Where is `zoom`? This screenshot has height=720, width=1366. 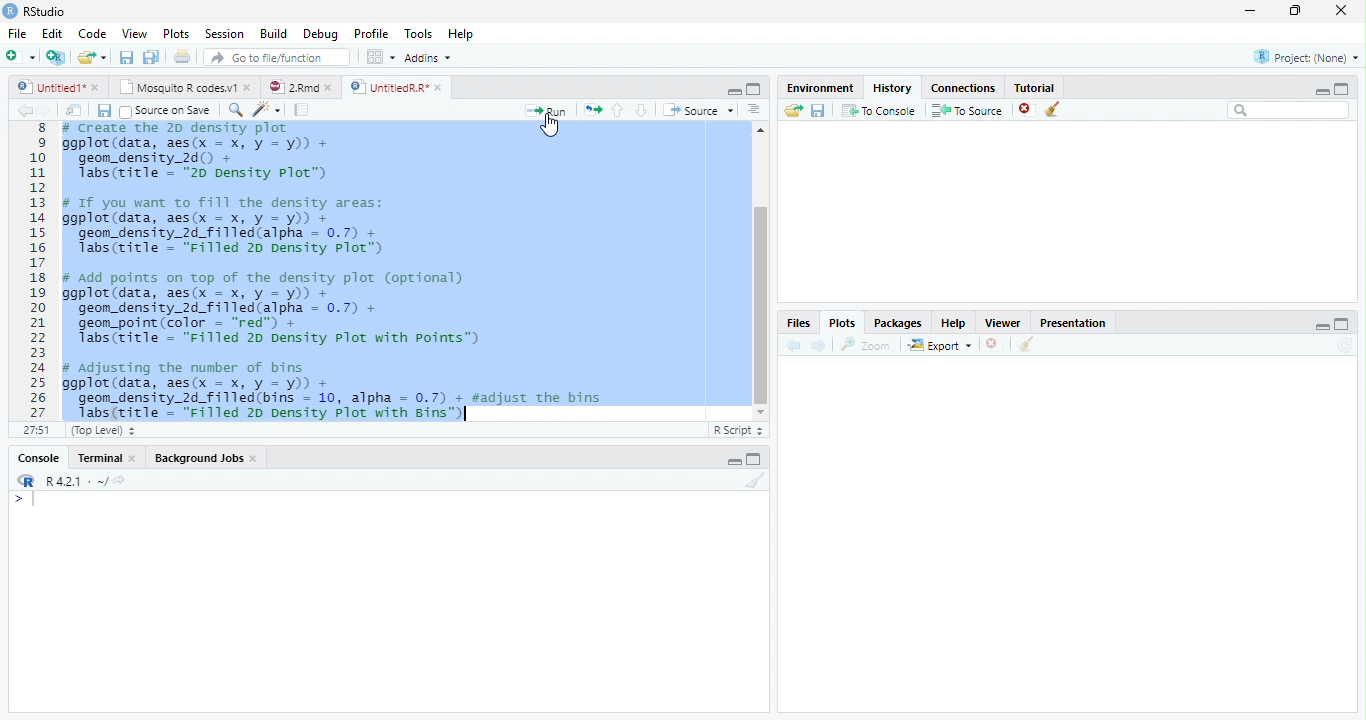 zoom is located at coordinates (869, 346).